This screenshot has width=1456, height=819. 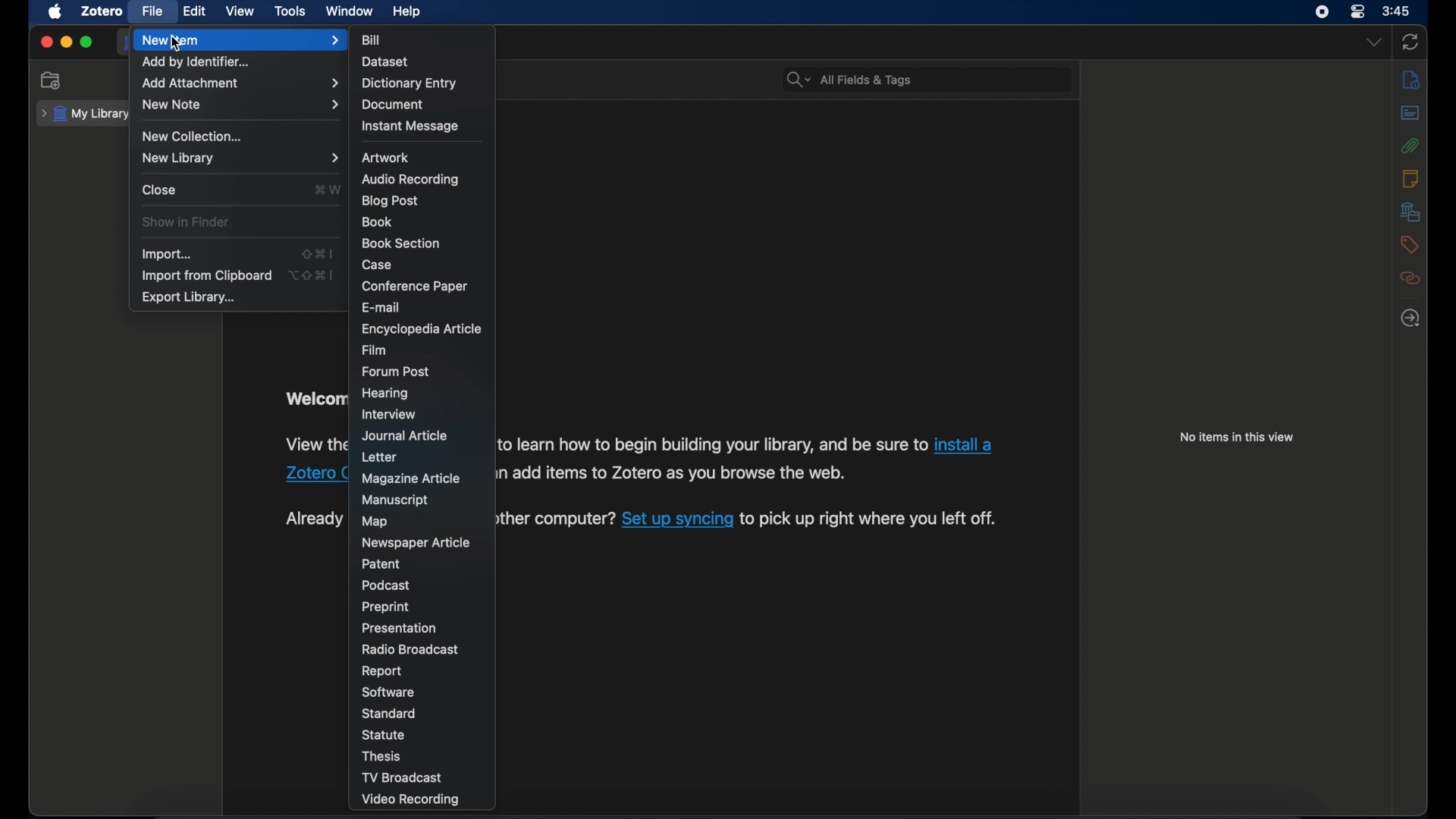 I want to click on notes, so click(x=1410, y=179).